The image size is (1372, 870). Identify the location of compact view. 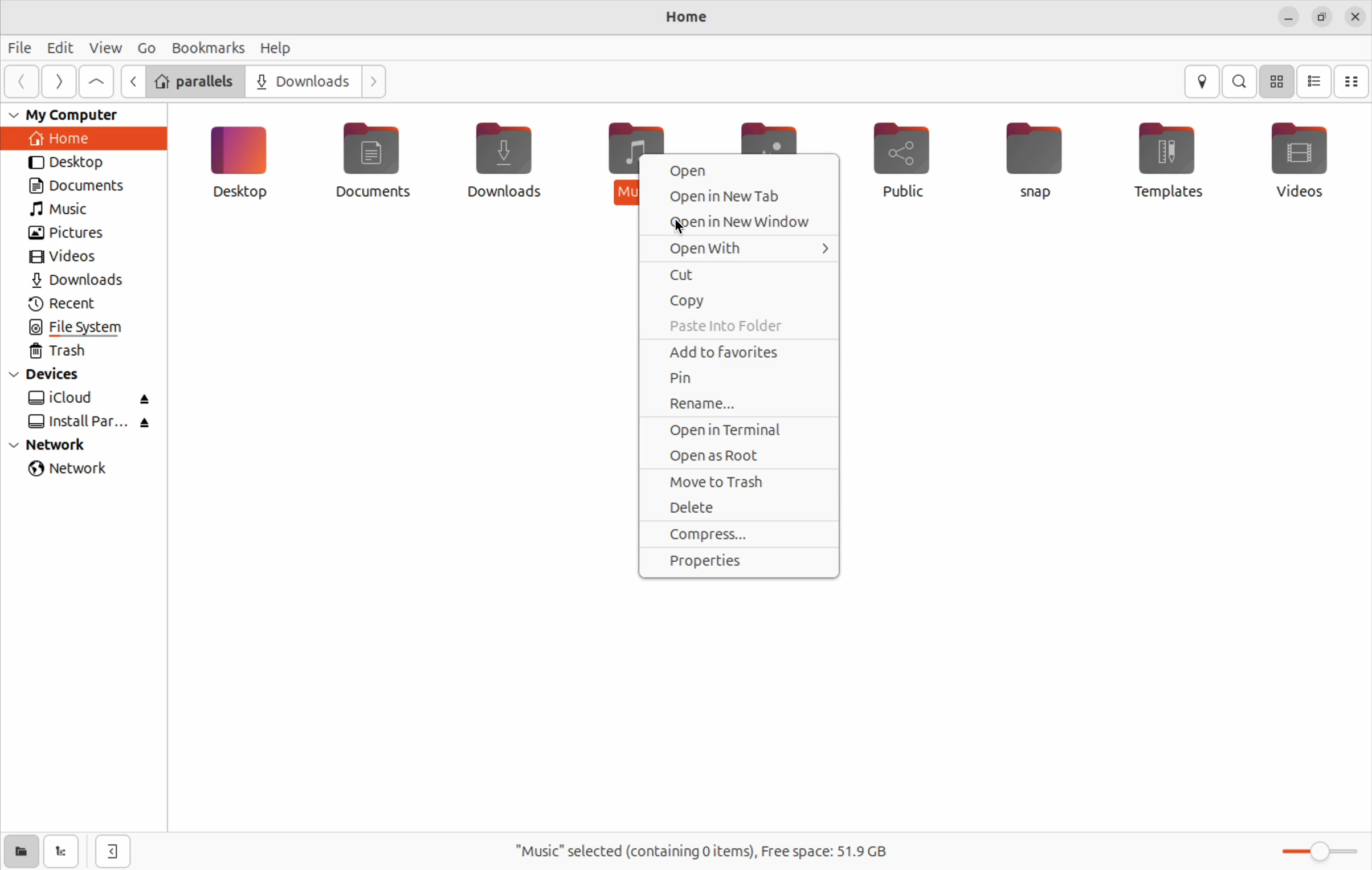
(1353, 82).